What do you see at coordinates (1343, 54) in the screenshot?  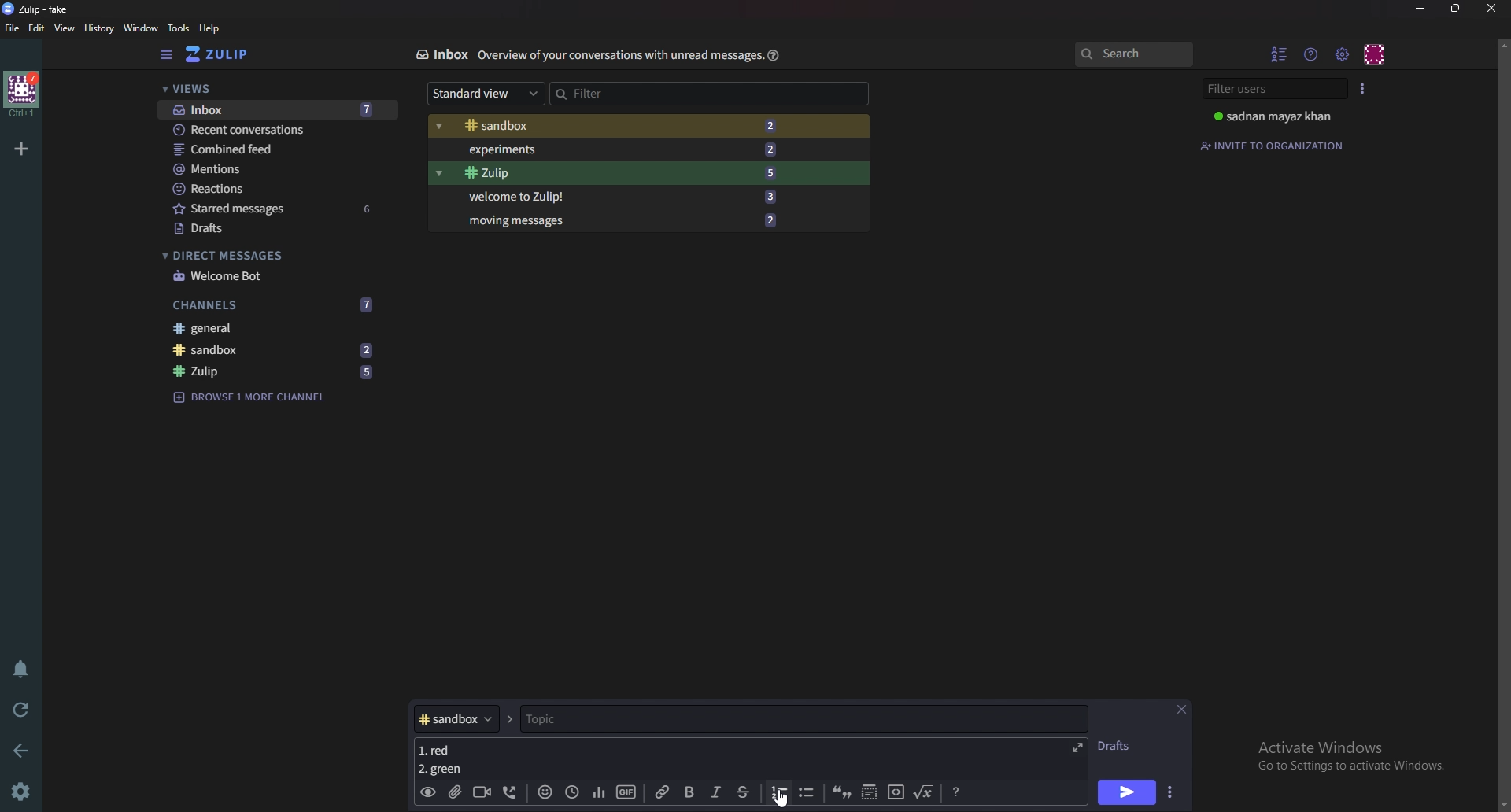 I see `main menu` at bounding box center [1343, 54].